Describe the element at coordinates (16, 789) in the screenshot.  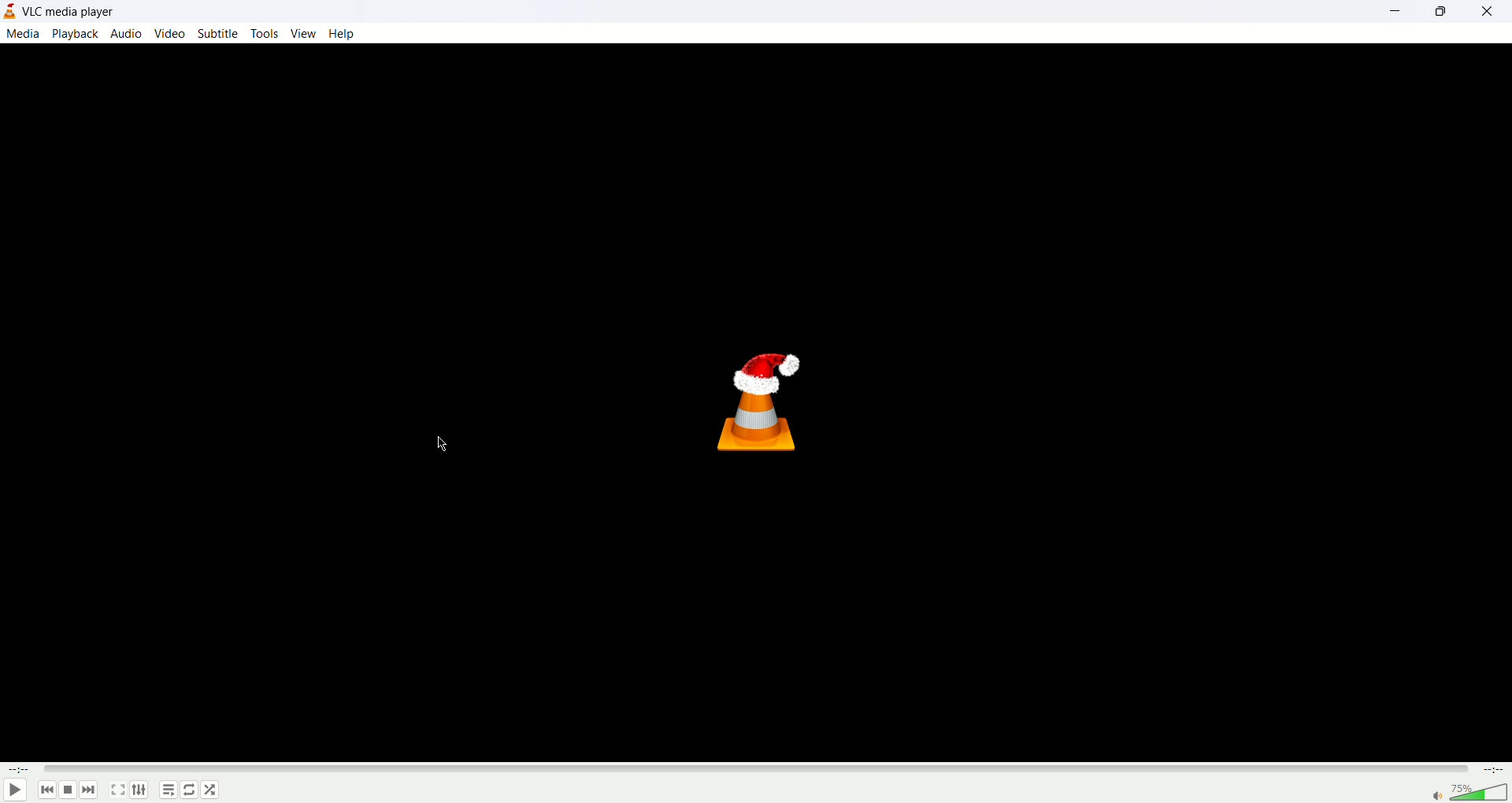
I see `play` at that location.